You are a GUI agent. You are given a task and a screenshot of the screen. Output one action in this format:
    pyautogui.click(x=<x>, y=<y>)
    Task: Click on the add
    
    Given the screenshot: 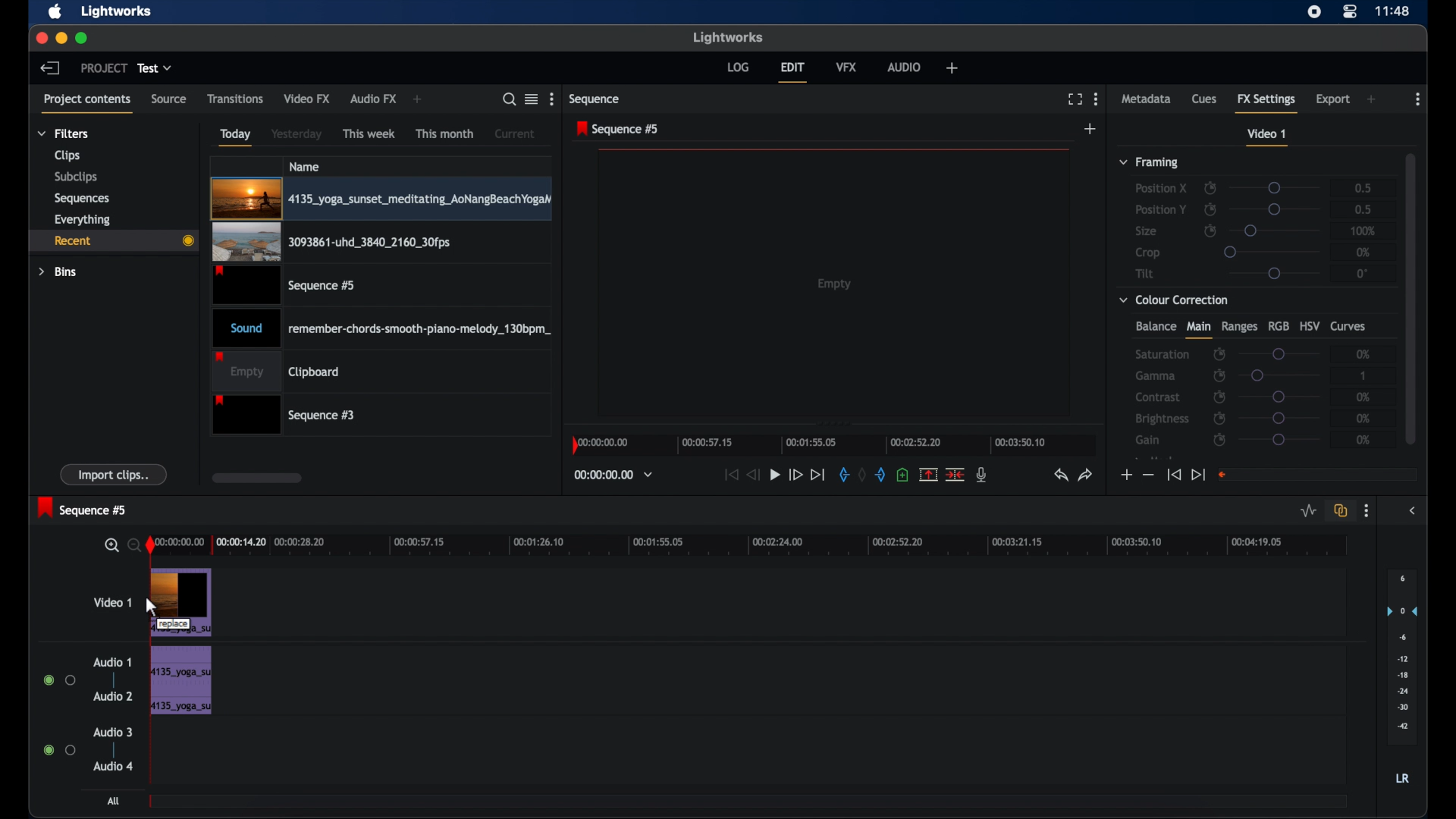 What is the action you would take?
    pyautogui.click(x=951, y=67)
    